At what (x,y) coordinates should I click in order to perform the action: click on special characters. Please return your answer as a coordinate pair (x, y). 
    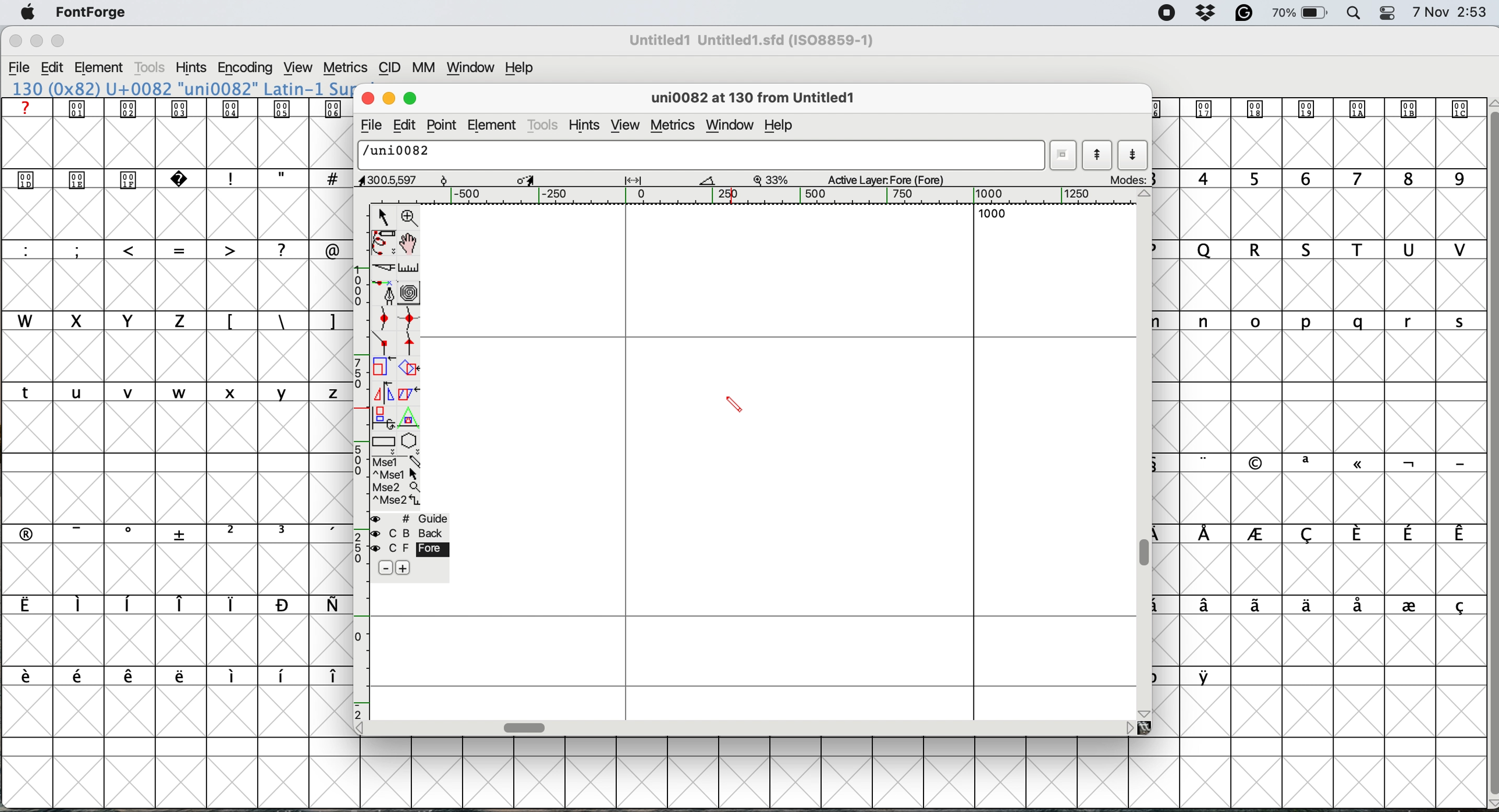
    Looking at the image, I should click on (279, 178).